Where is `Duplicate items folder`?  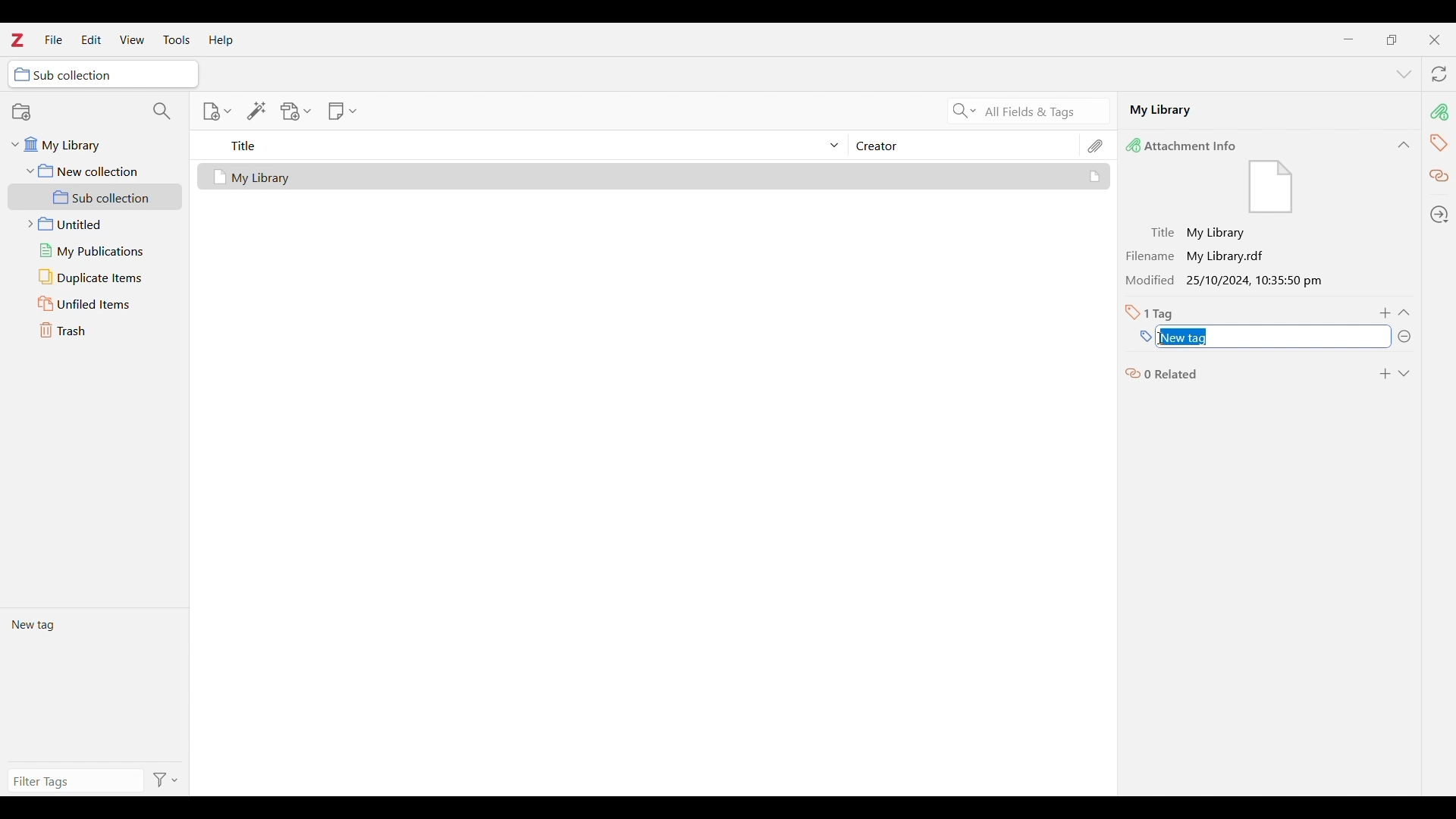
Duplicate items folder is located at coordinates (96, 278).